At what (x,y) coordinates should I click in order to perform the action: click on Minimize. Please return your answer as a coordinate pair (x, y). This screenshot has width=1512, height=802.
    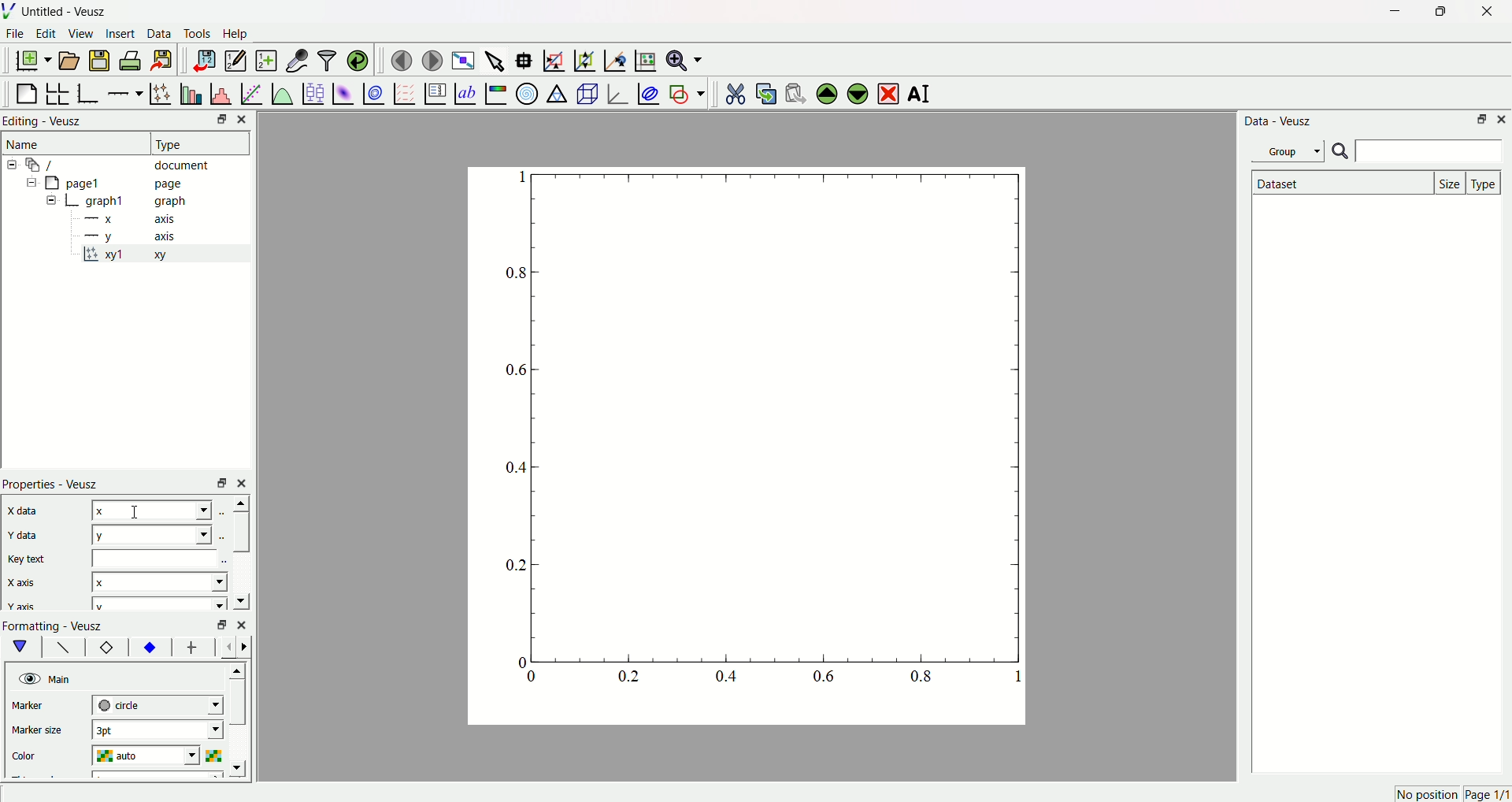
    Looking at the image, I should click on (217, 121).